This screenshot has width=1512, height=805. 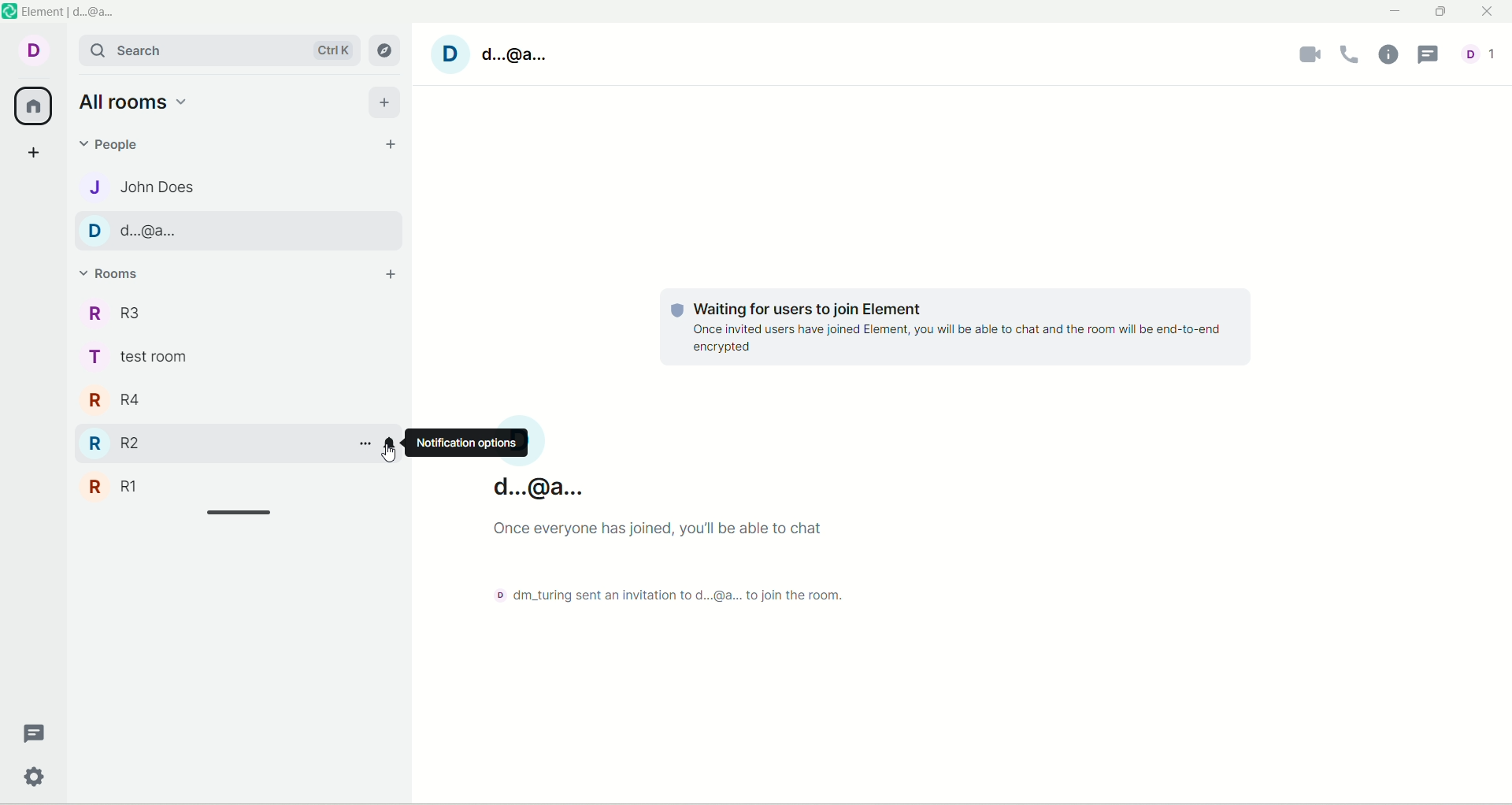 What do you see at coordinates (143, 442) in the screenshot?
I see `room 2 ` at bounding box center [143, 442].